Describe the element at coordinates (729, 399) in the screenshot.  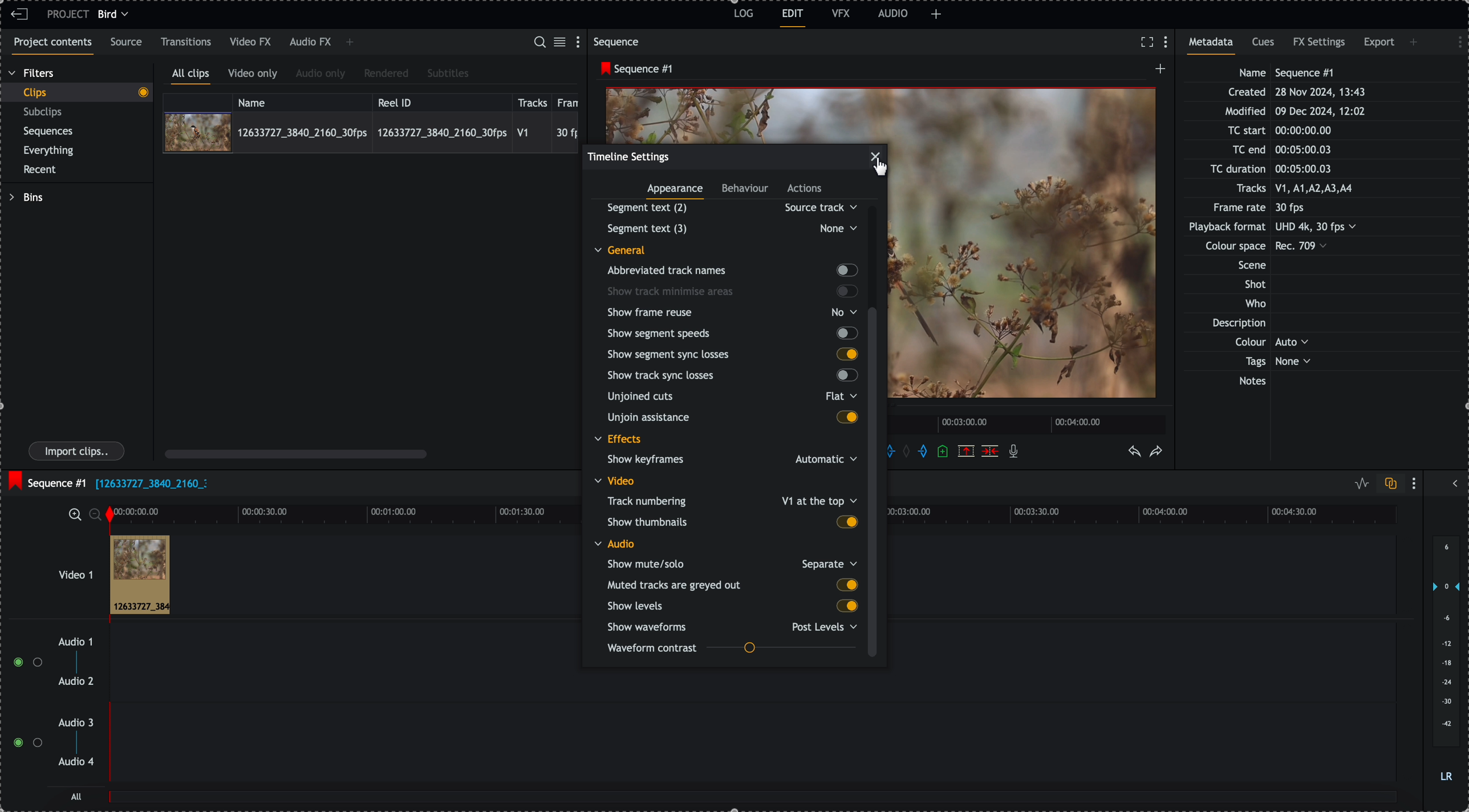
I see `unjoined cuts` at that location.